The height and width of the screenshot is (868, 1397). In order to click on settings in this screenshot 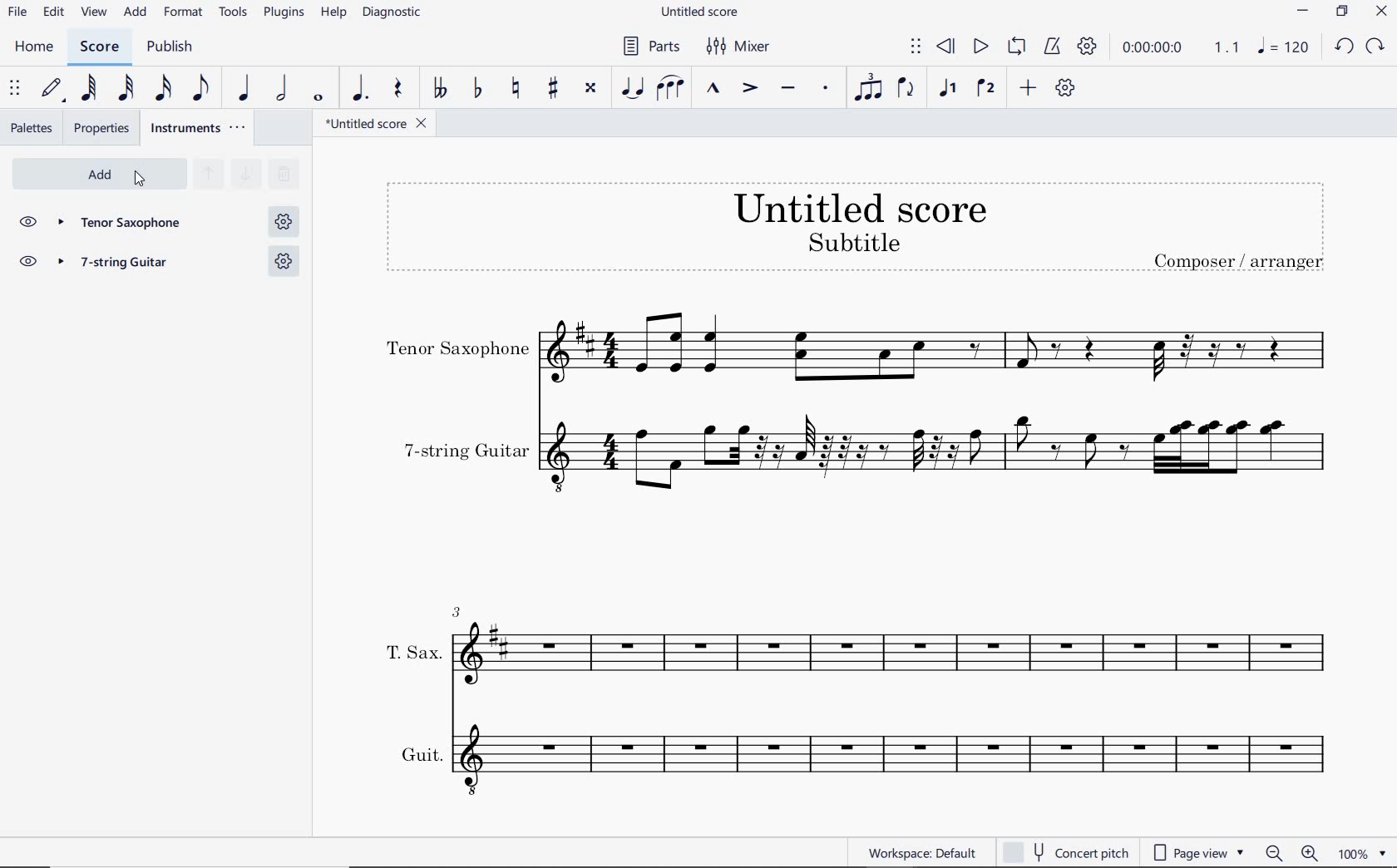, I will do `click(283, 262)`.